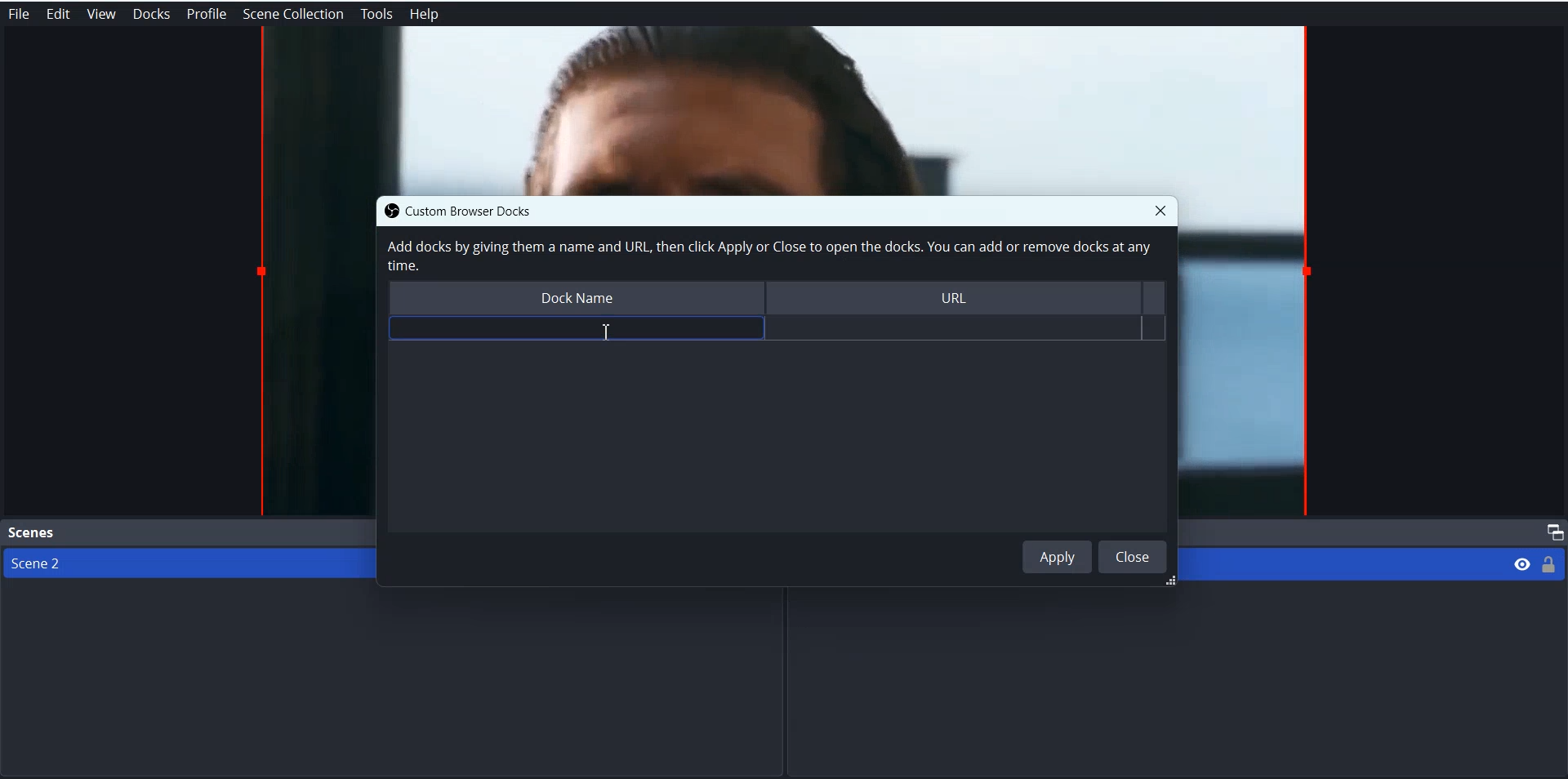  Describe the element at coordinates (18, 14) in the screenshot. I see `File` at that location.